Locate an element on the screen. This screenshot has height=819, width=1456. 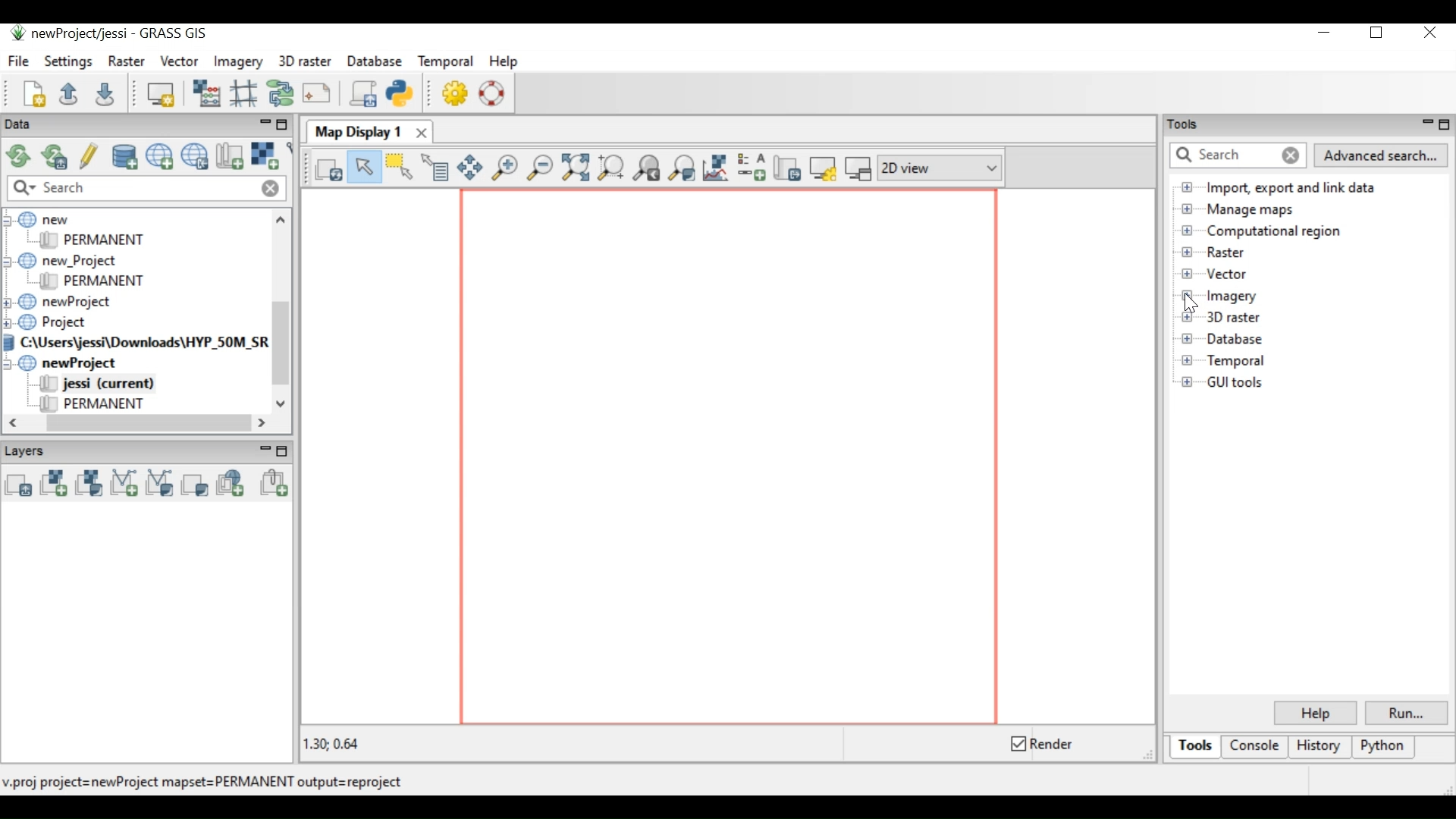
Database is located at coordinates (1223, 339).